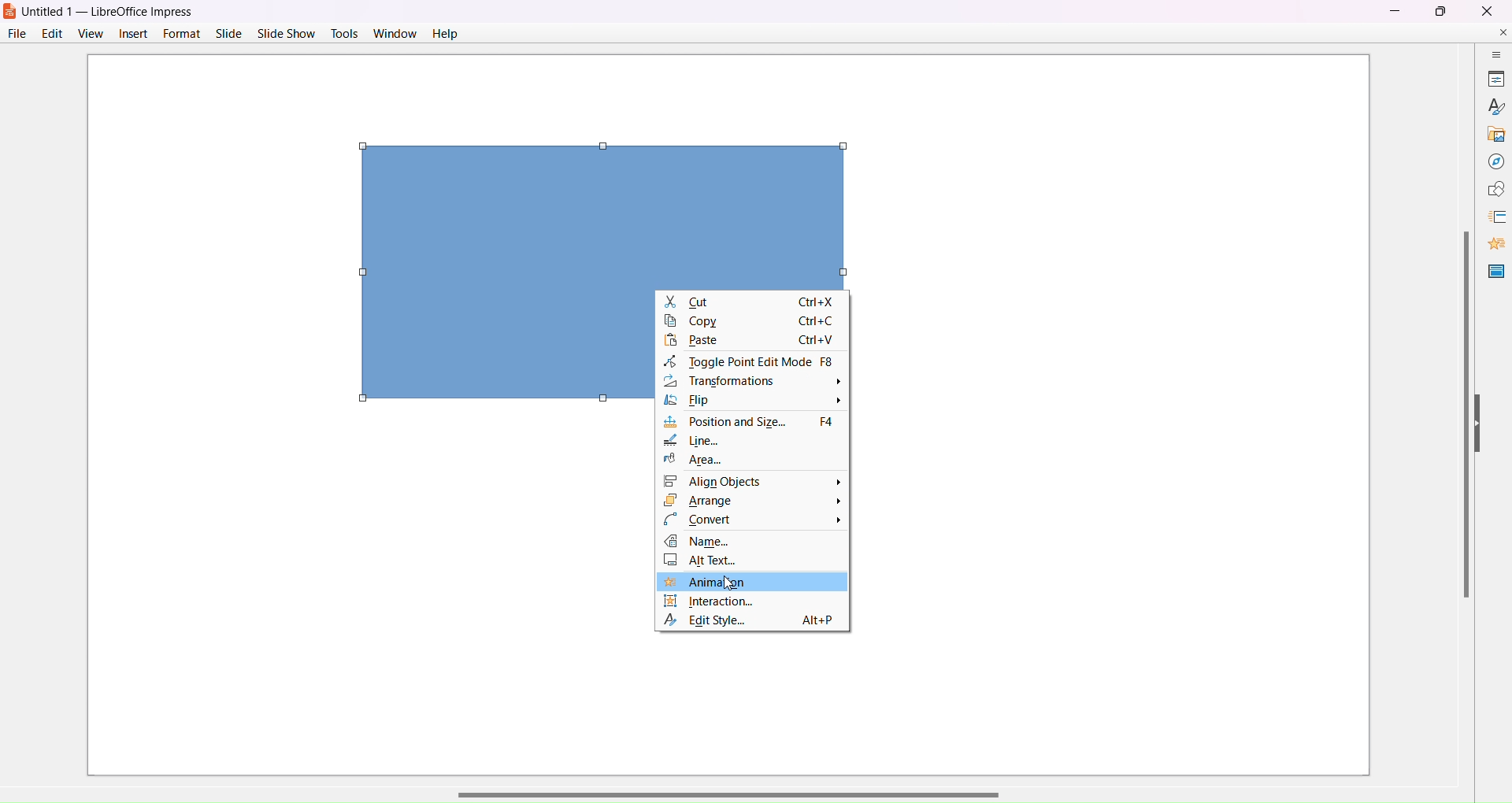  I want to click on Vertical Scroll Bar, so click(1464, 413).